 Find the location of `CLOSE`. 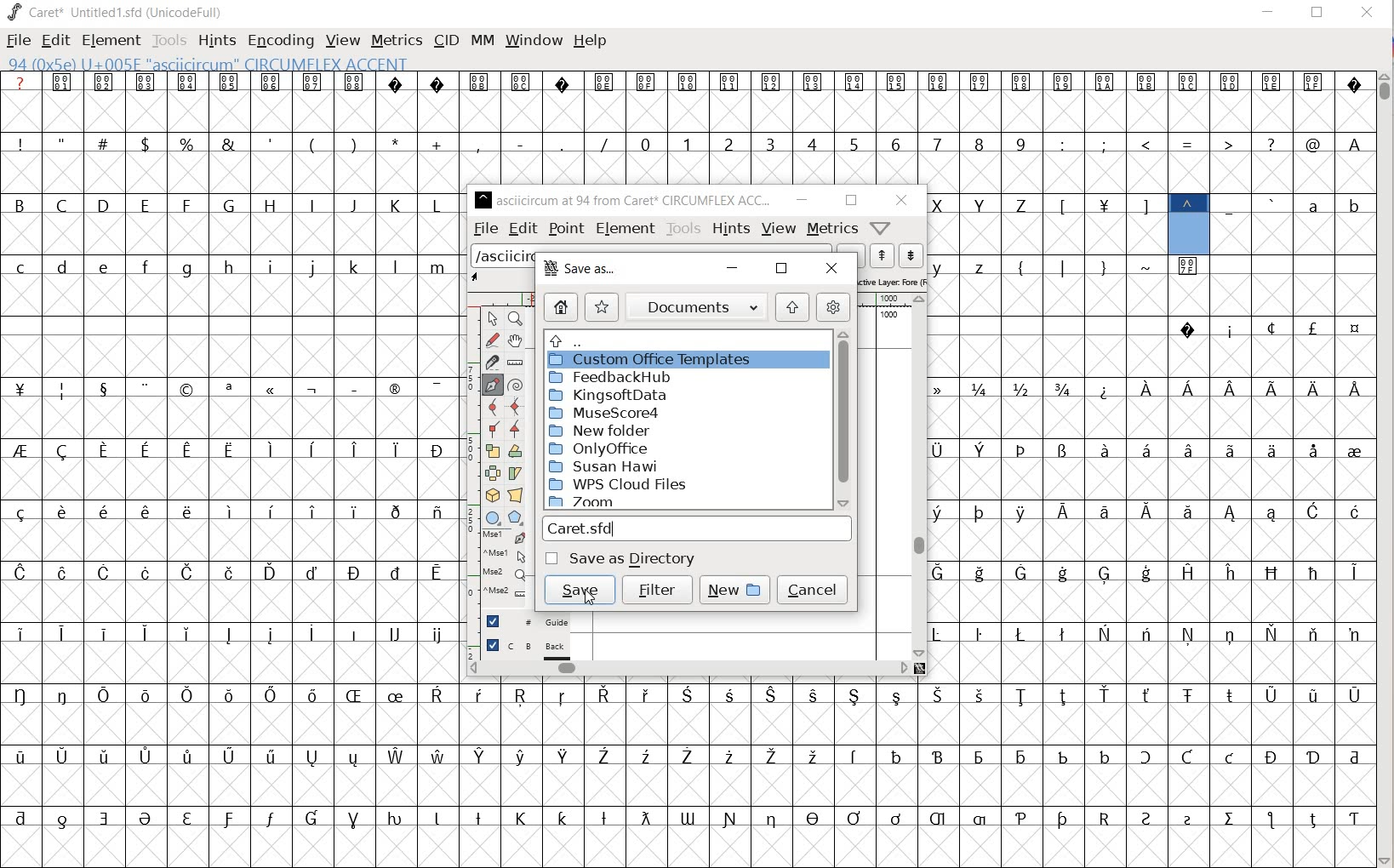

CLOSE is located at coordinates (1365, 14).